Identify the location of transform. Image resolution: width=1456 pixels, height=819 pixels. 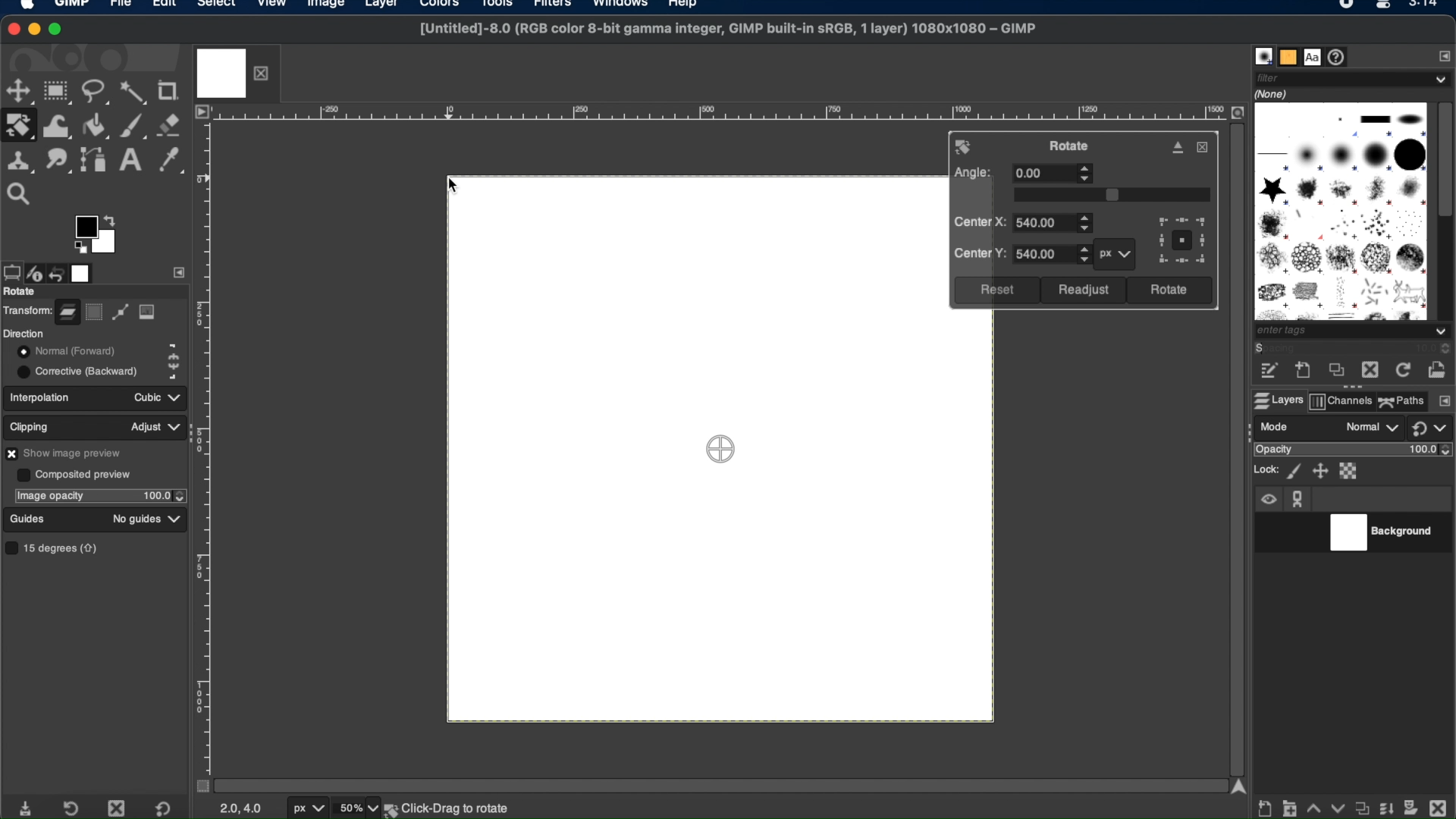
(27, 309).